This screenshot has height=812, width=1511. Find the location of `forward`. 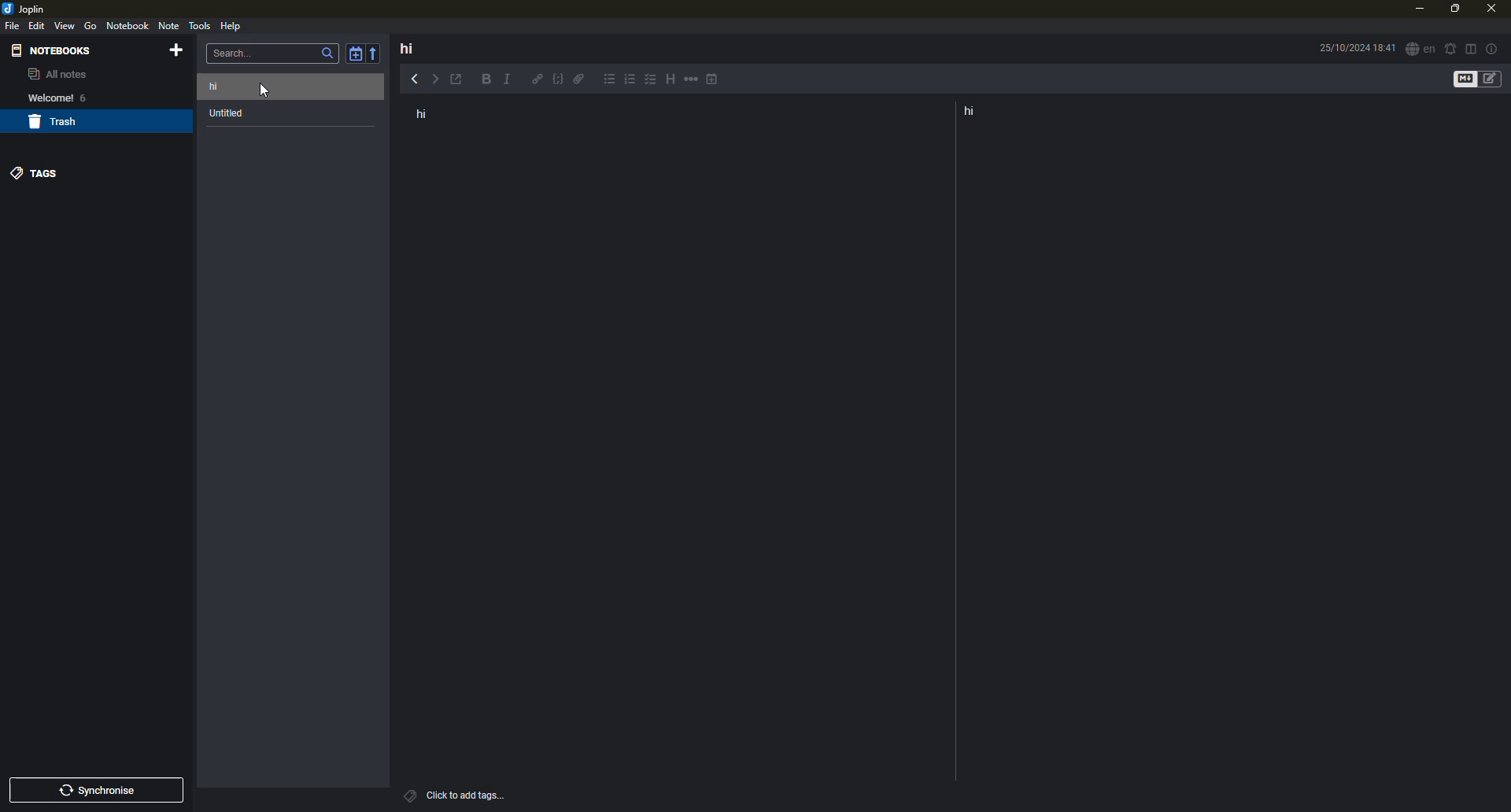

forward is located at coordinates (439, 79).